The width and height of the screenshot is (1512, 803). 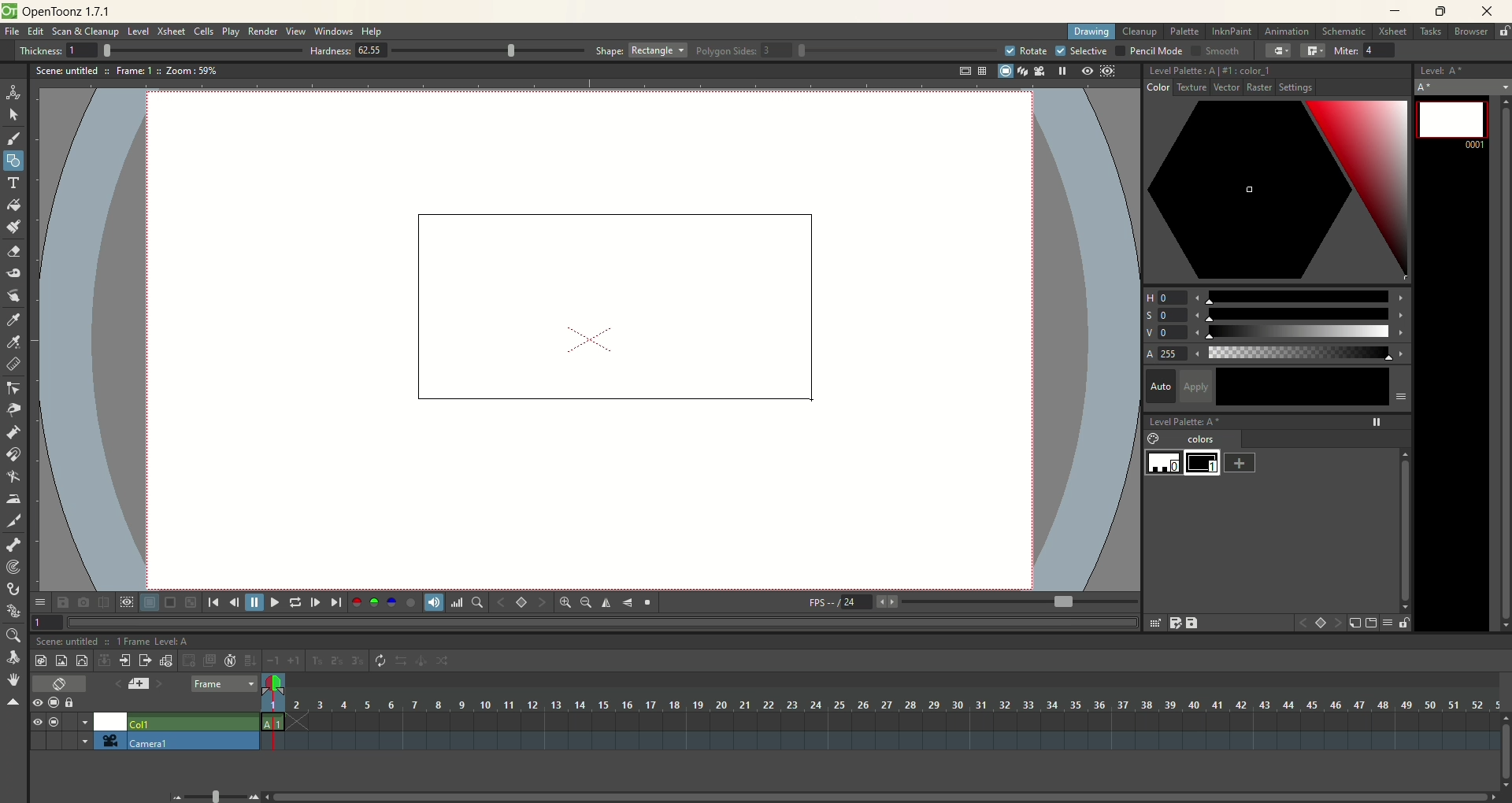 What do you see at coordinates (1002, 72) in the screenshot?
I see `camera stand view` at bounding box center [1002, 72].